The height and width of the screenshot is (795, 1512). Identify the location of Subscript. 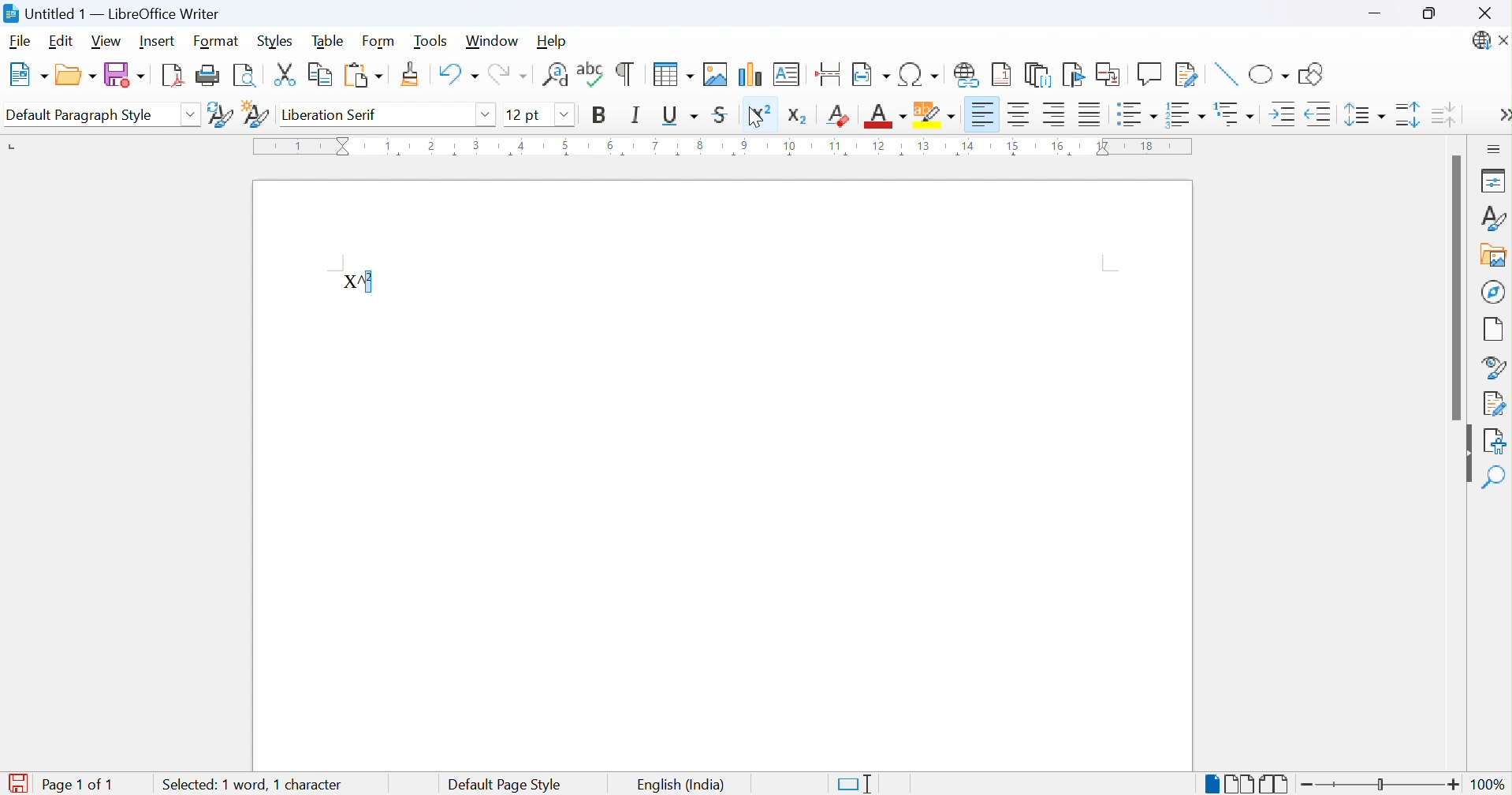
(799, 118).